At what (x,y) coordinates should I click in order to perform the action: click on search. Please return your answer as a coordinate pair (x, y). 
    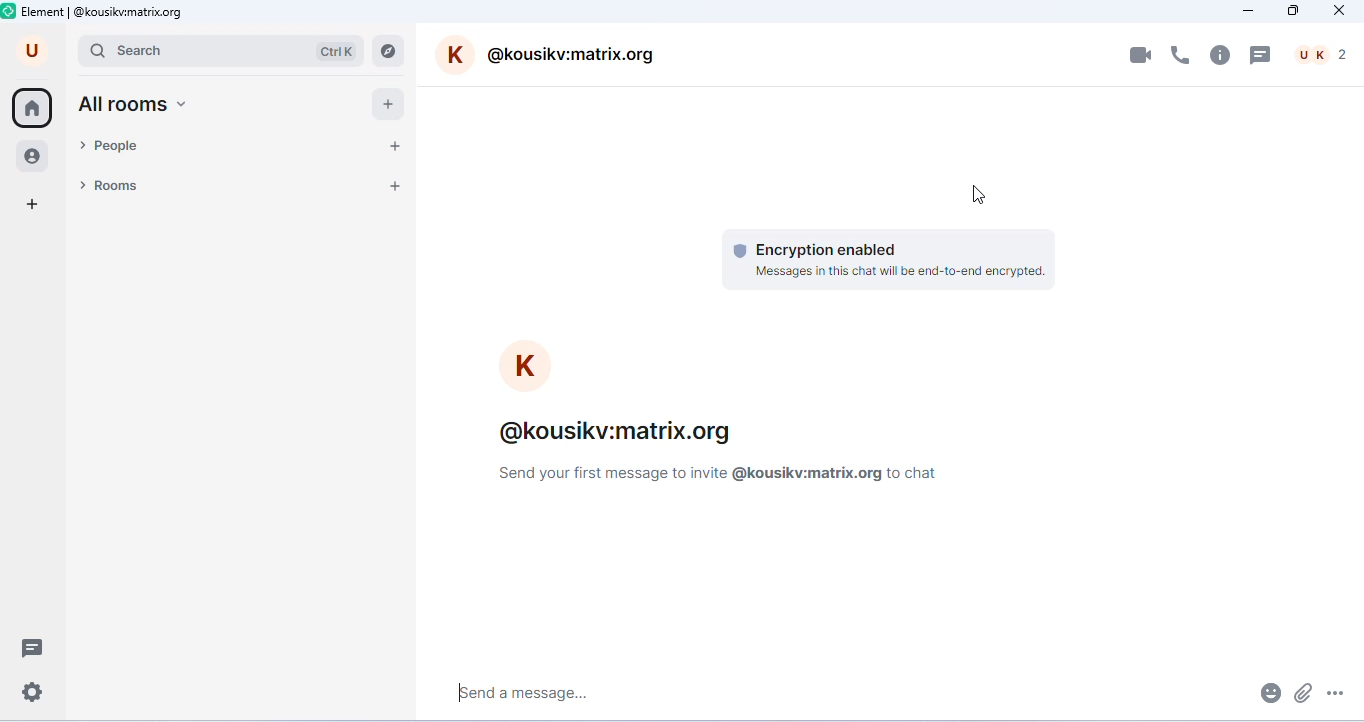
    Looking at the image, I should click on (188, 51).